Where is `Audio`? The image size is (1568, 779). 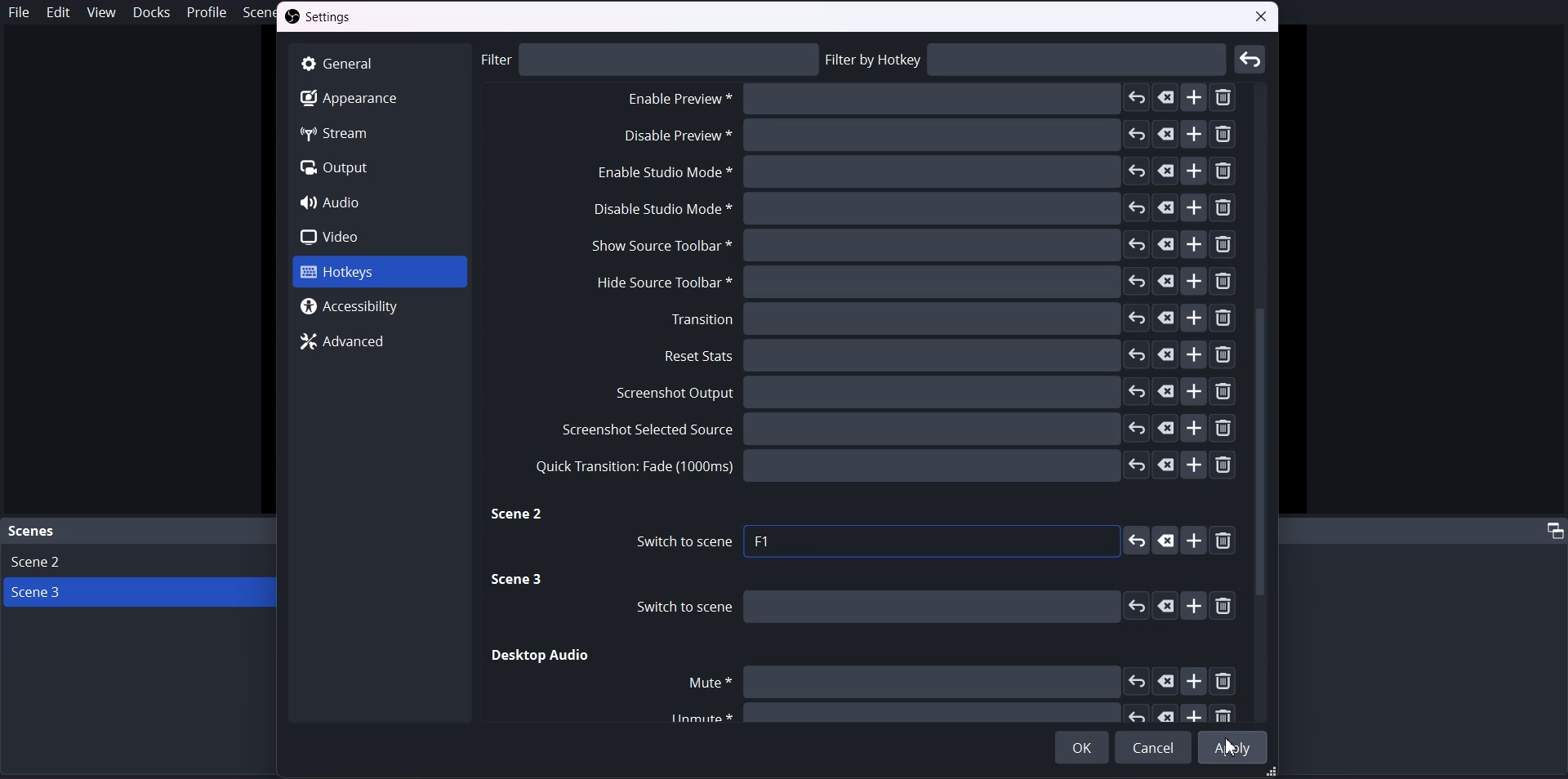 Audio is located at coordinates (379, 202).